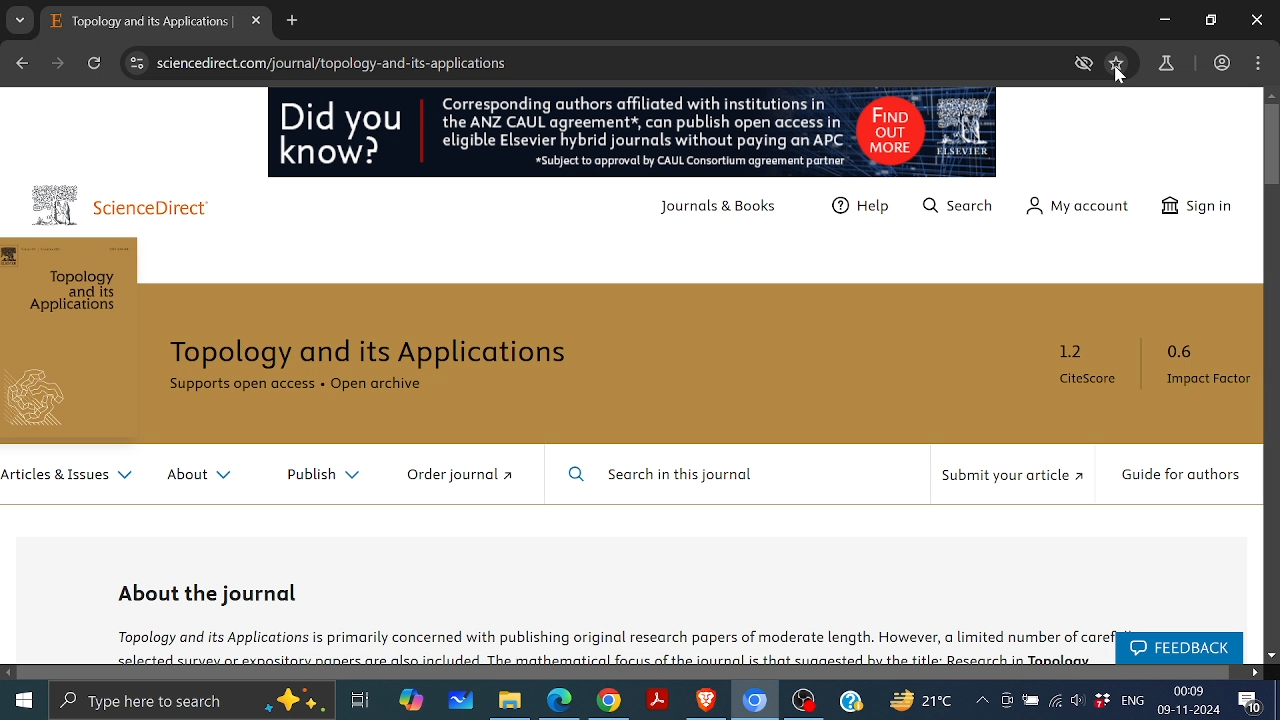 The image size is (1280, 720). Describe the element at coordinates (60, 63) in the screenshot. I see `Go to next page` at that location.